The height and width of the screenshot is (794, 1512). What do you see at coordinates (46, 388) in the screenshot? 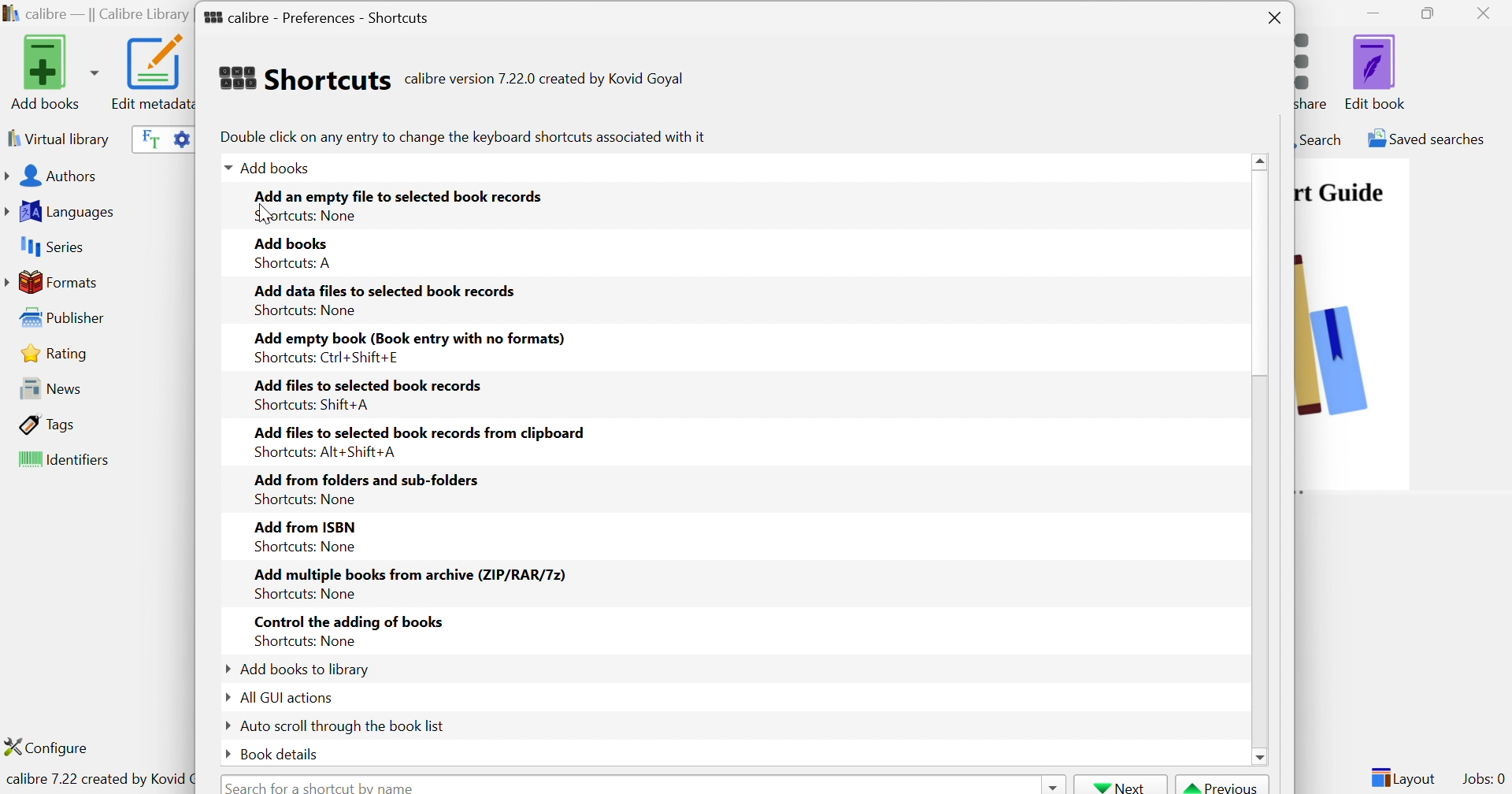
I see `News` at bounding box center [46, 388].